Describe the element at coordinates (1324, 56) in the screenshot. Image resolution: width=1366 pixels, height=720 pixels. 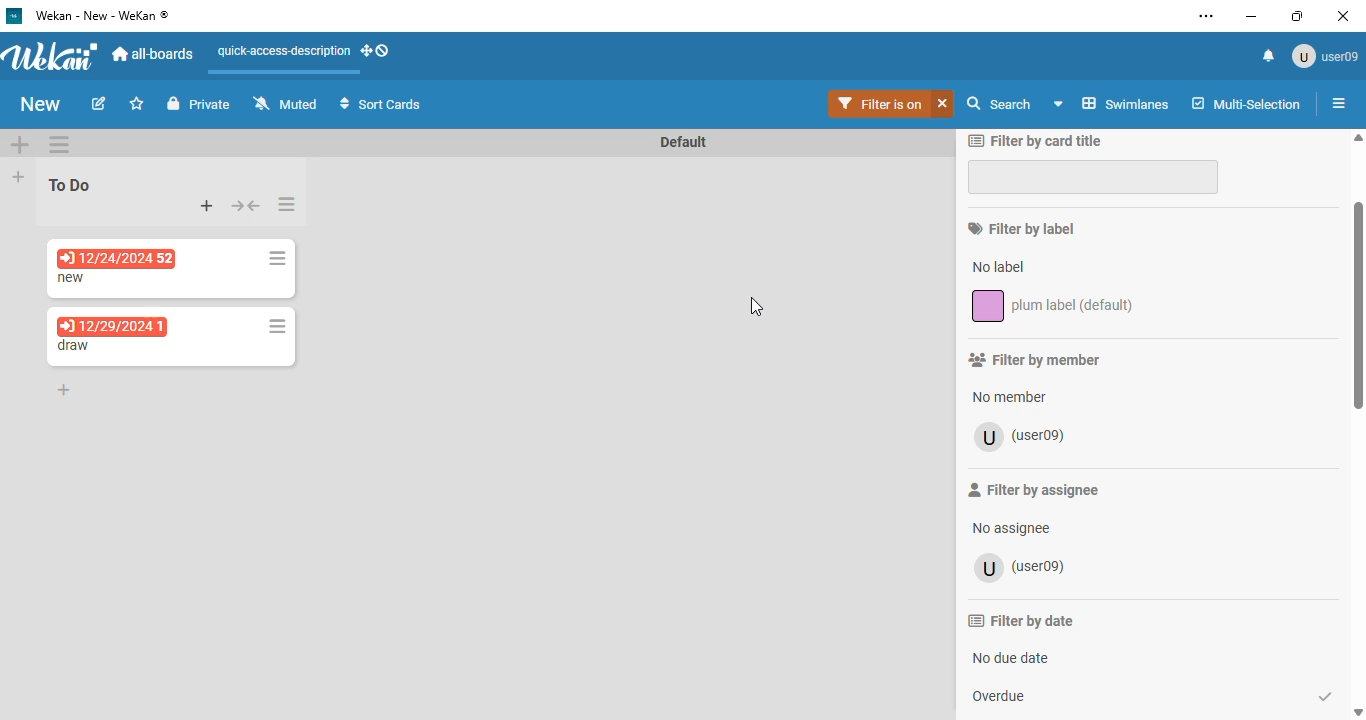
I see `user09` at that location.